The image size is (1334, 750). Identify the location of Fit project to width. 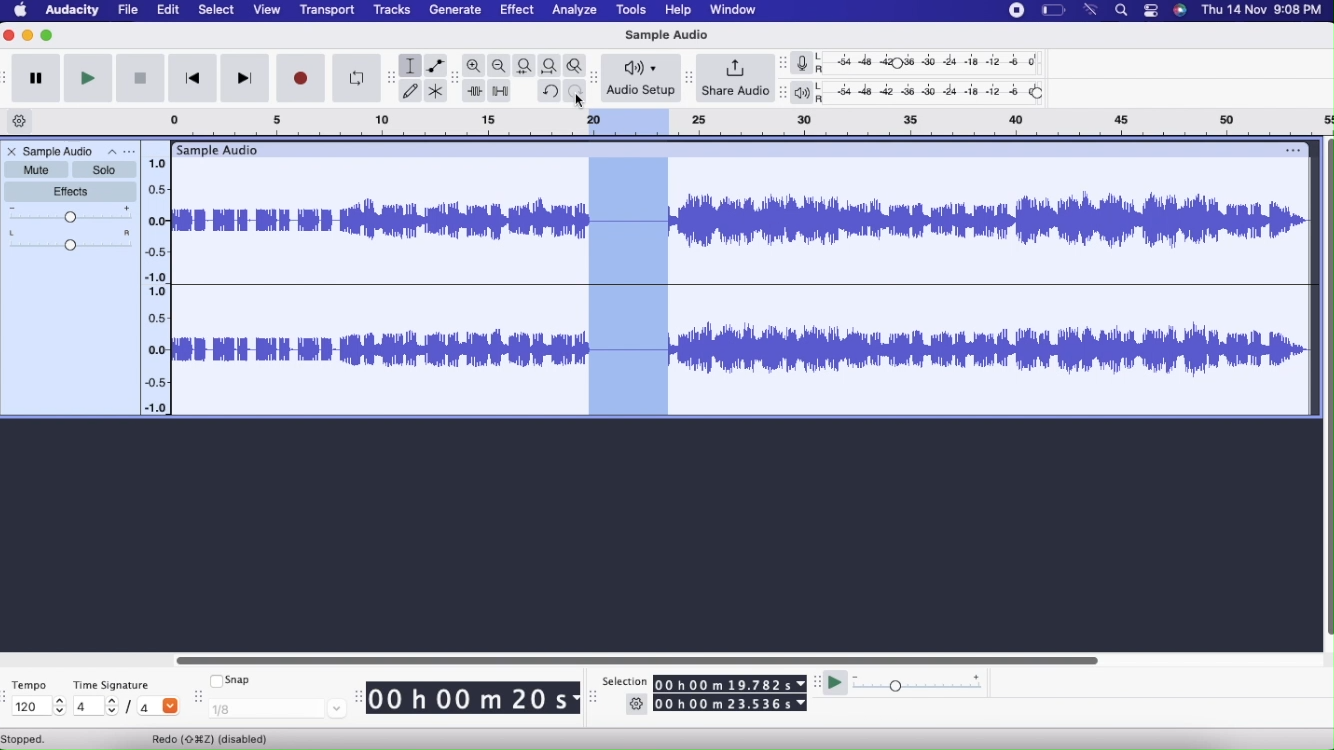
(550, 66).